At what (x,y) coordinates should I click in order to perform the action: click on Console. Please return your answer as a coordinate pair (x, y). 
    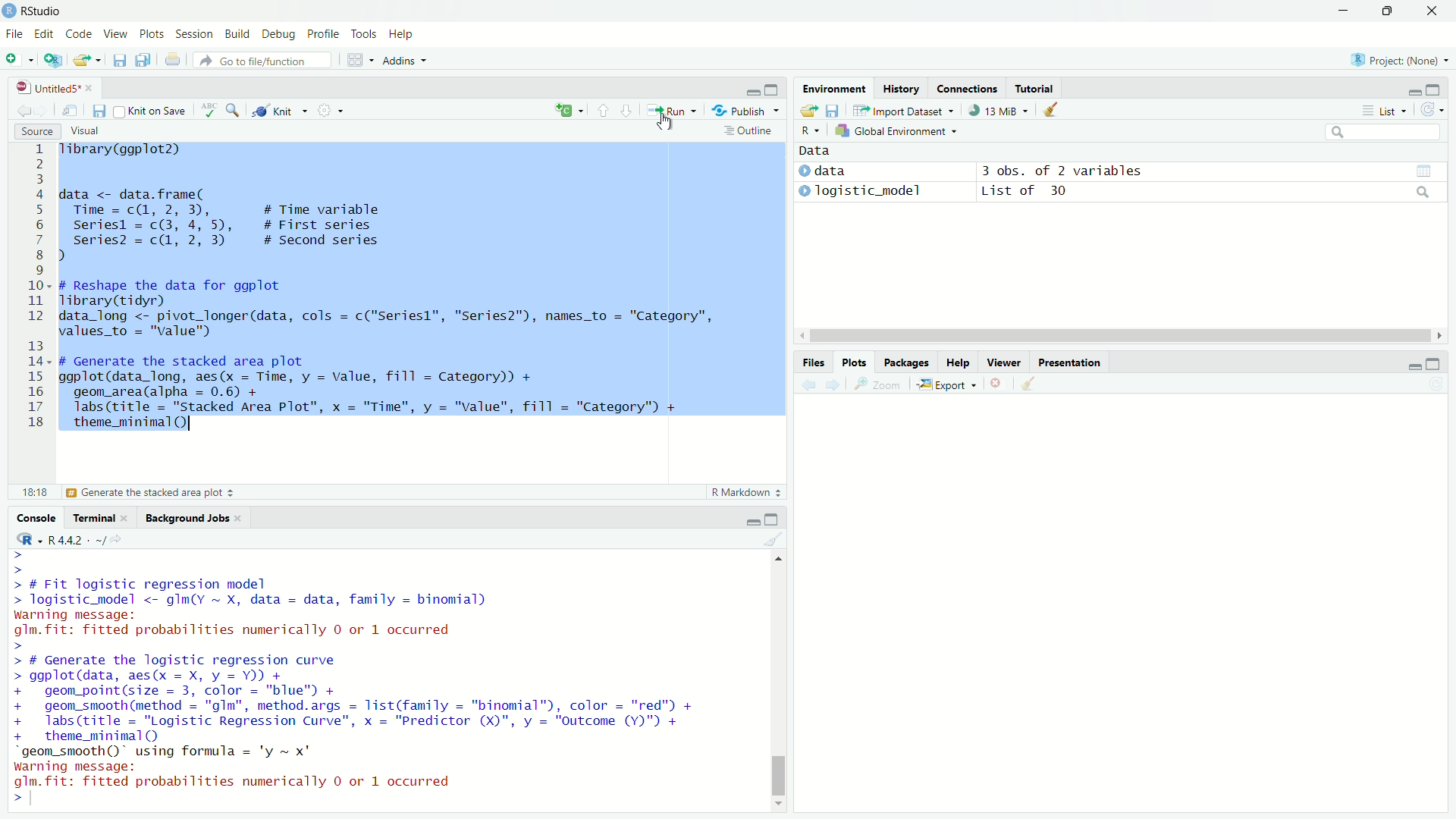
    Looking at the image, I should click on (39, 516).